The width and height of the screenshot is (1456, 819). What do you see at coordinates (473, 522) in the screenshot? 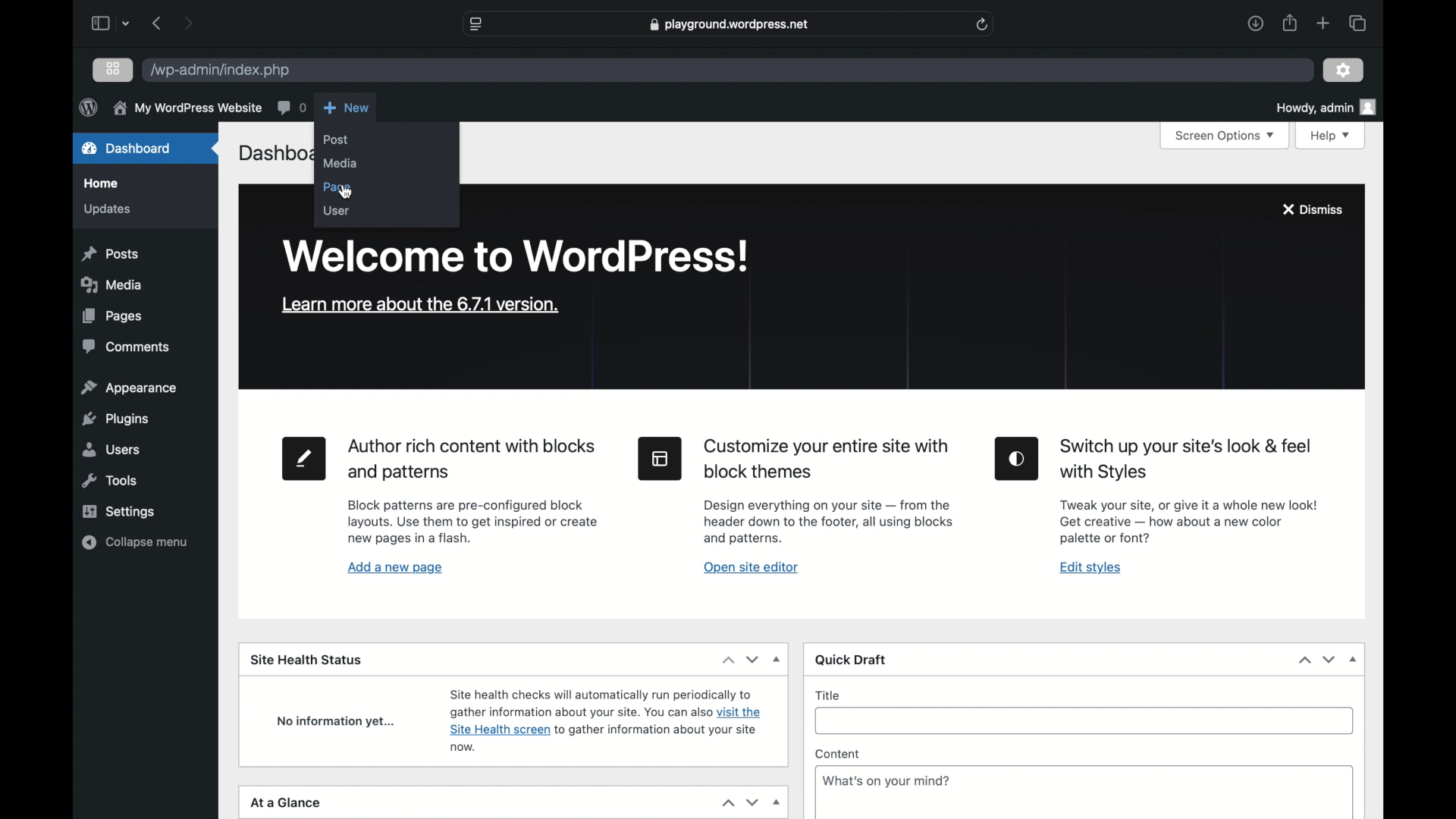
I see `page tool information` at bounding box center [473, 522].